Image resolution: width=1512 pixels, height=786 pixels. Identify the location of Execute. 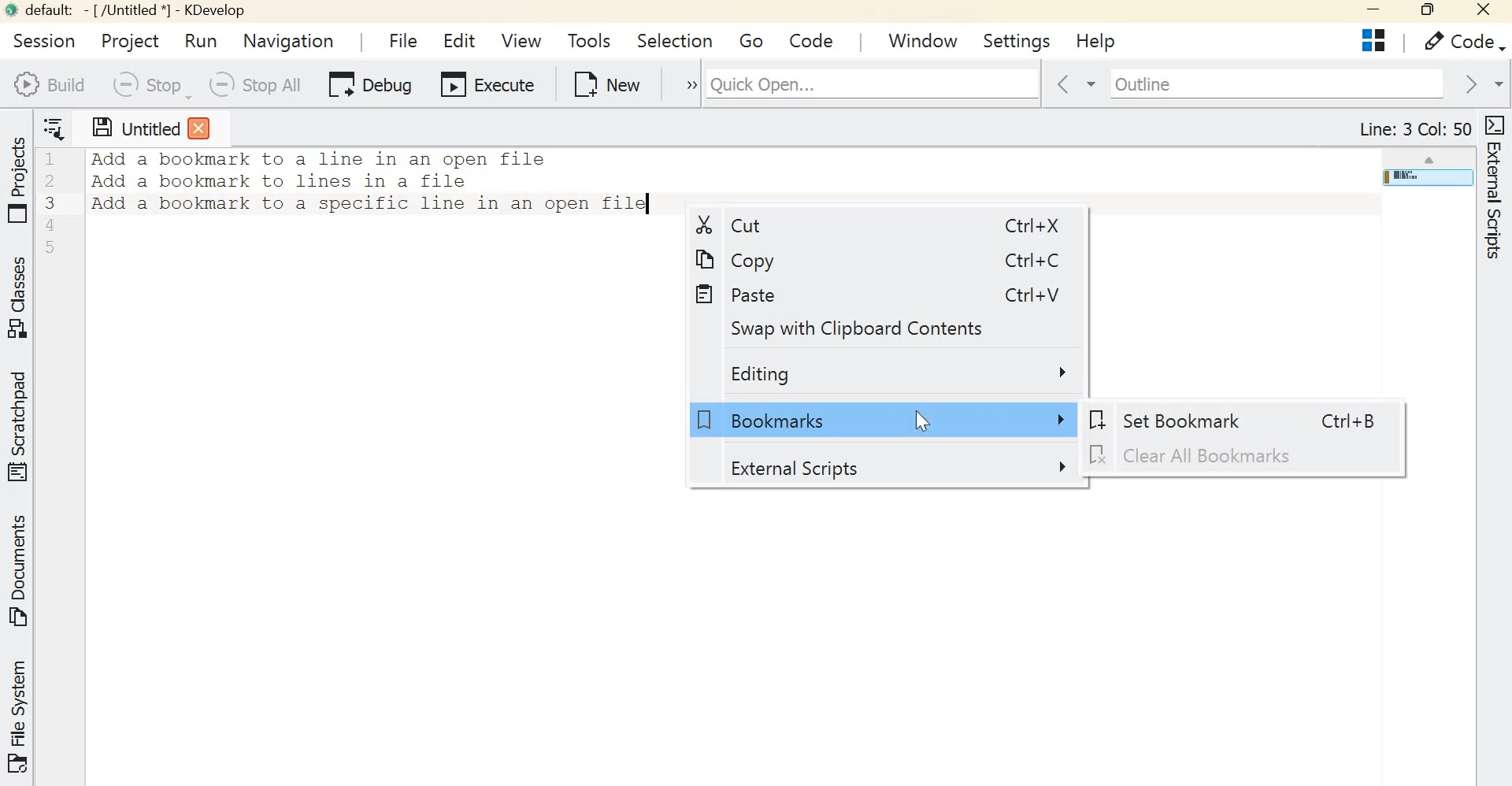
(485, 81).